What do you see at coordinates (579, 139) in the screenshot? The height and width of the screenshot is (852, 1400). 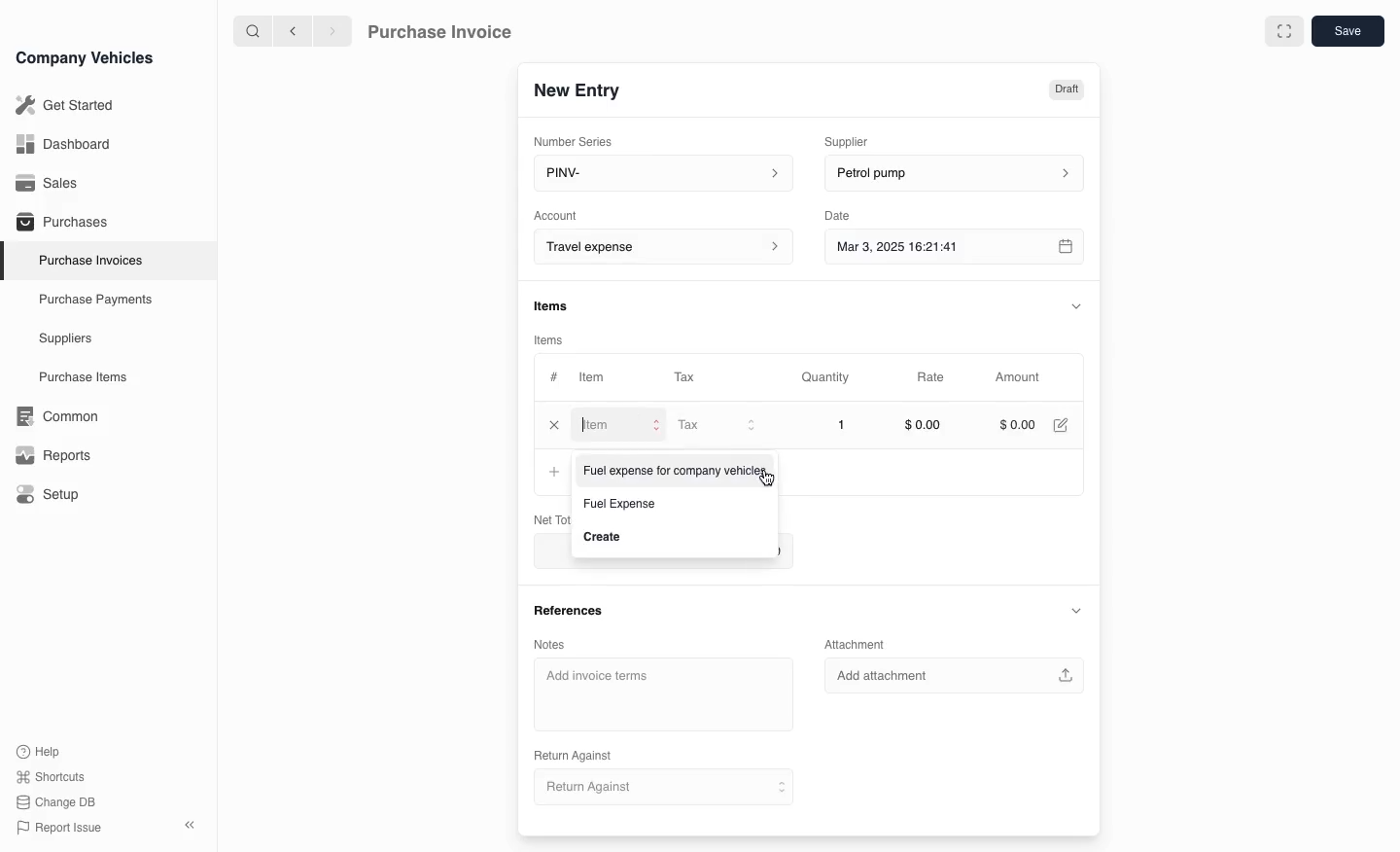 I see `Number Series` at bounding box center [579, 139].